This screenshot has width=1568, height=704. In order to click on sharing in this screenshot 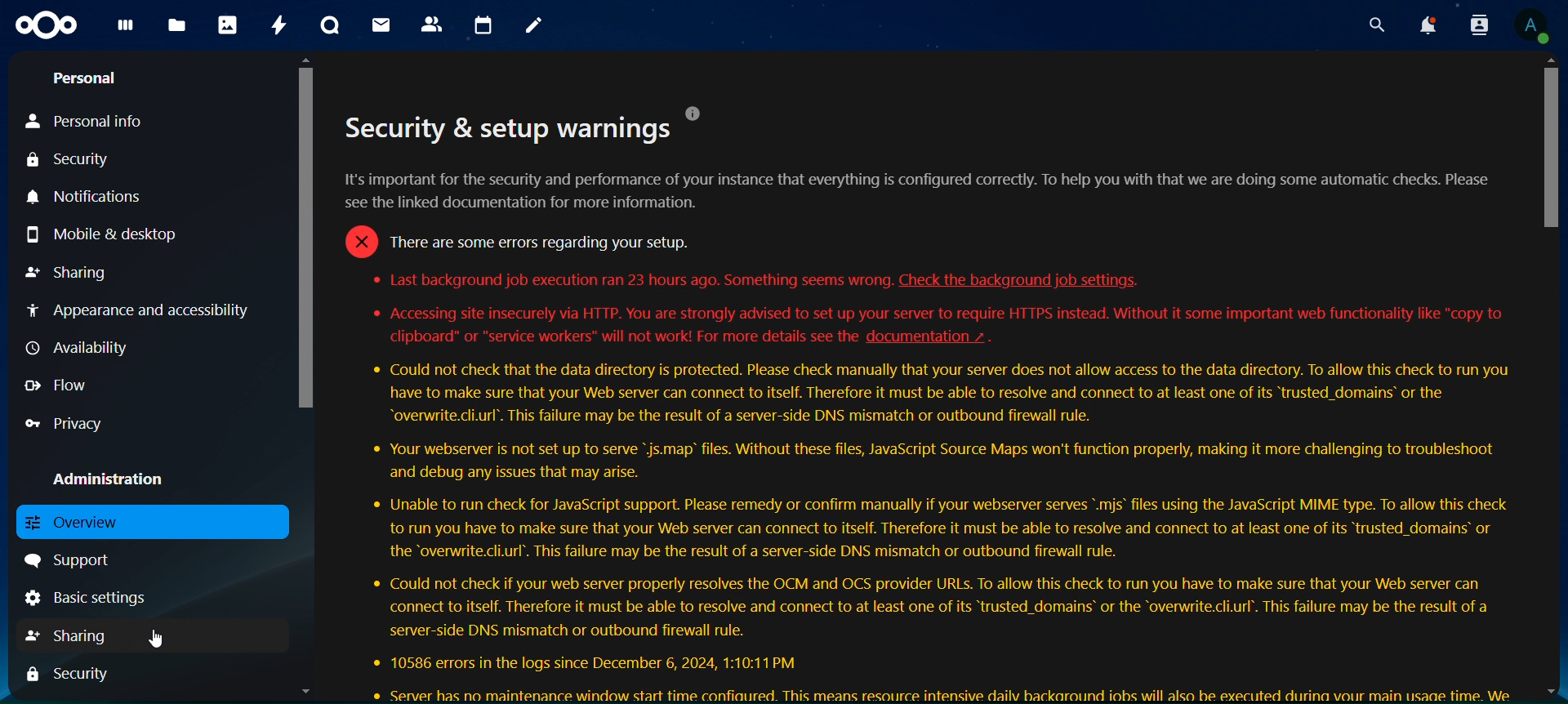, I will do `click(69, 274)`.